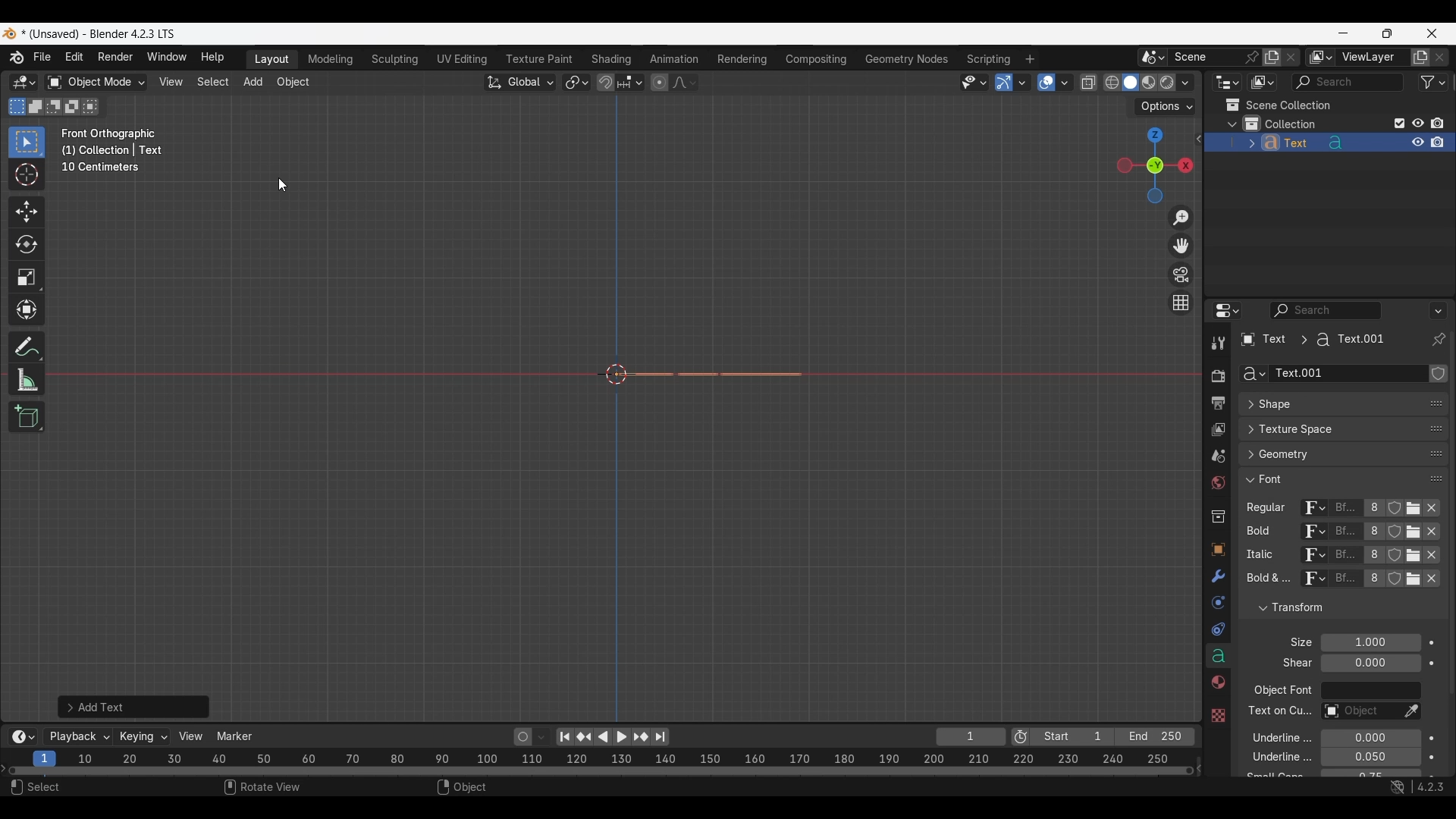  I want to click on Auto keying , so click(523, 737).